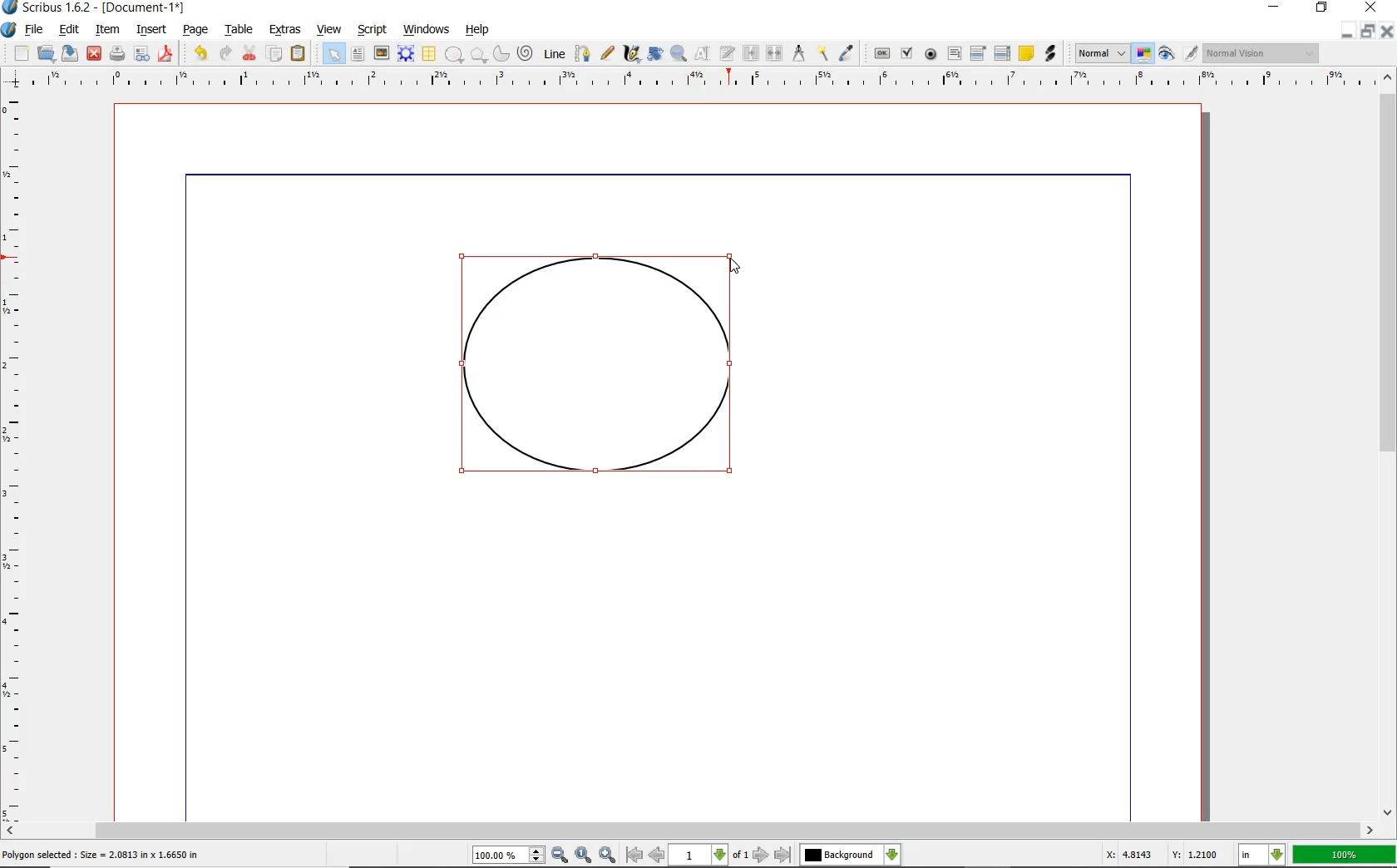 The width and height of the screenshot is (1397, 868). Describe the element at coordinates (728, 53) in the screenshot. I see `EDIT TEXT WITH STORY EDITOR` at that location.